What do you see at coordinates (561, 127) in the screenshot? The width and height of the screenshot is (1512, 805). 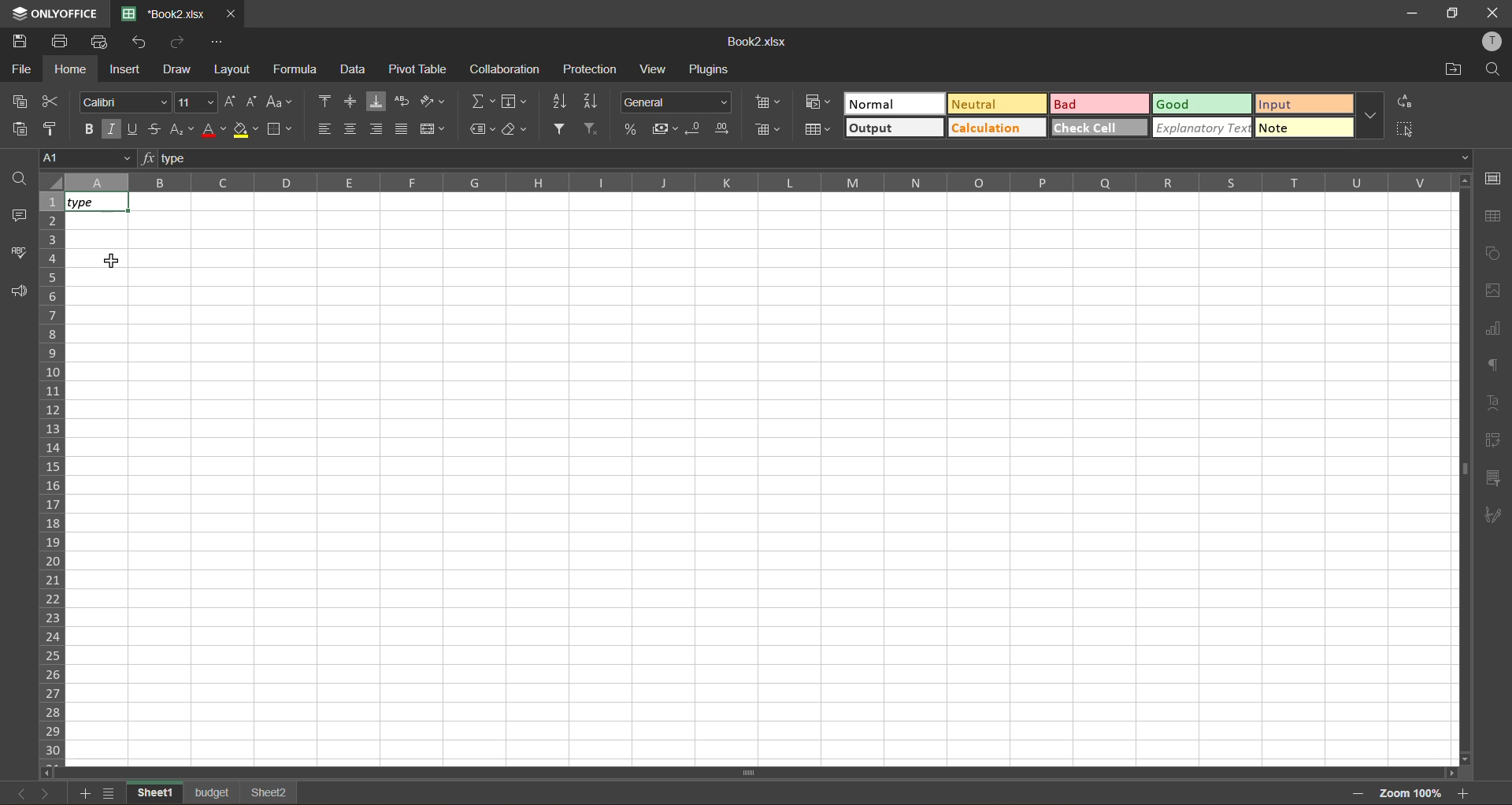 I see `filter` at bounding box center [561, 127].